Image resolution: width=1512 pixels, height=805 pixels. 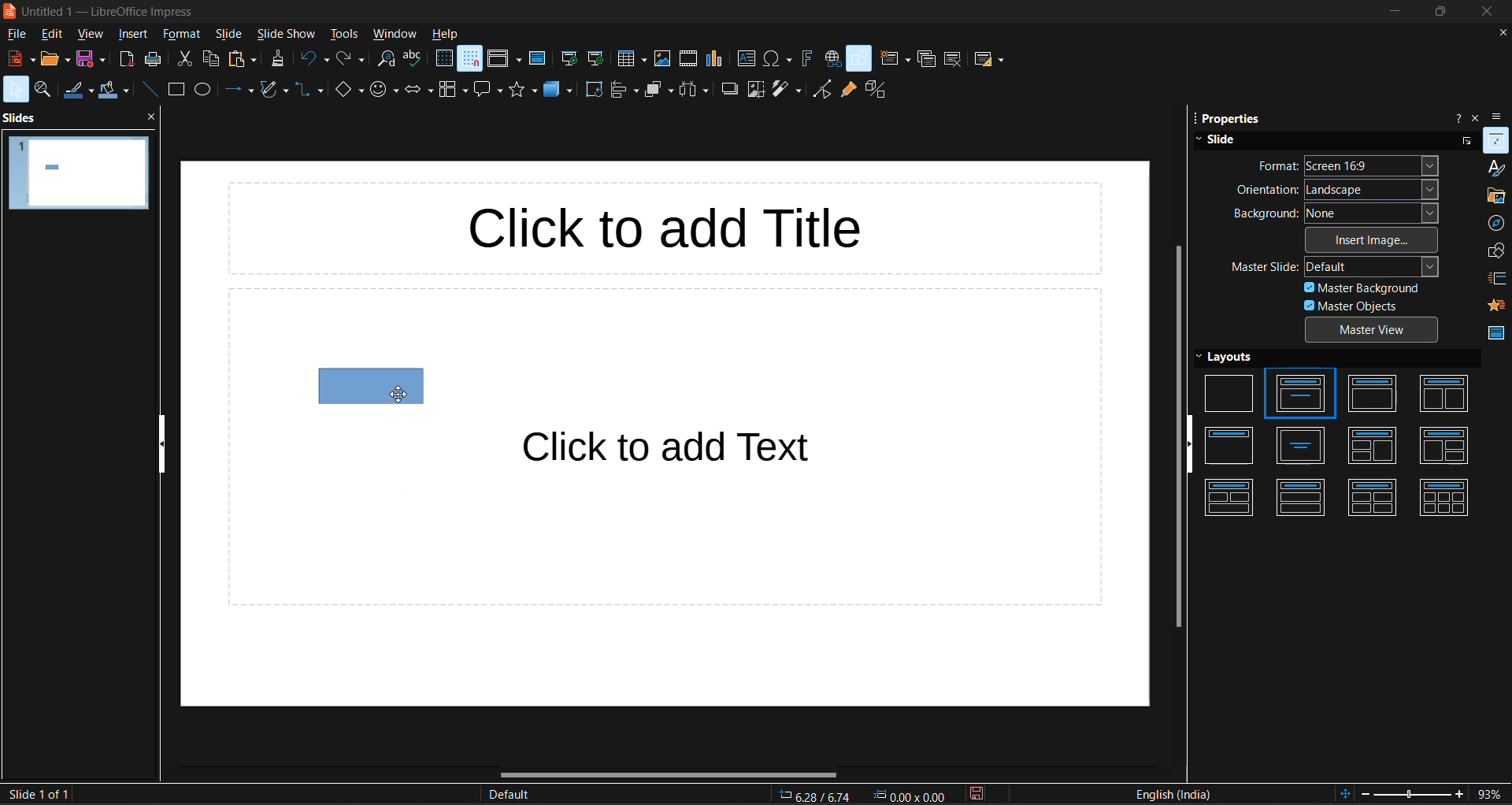 What do you see at coordinates (1467, 139) in the screenshot?
I see `more options` at bounding box center [1467, 139].